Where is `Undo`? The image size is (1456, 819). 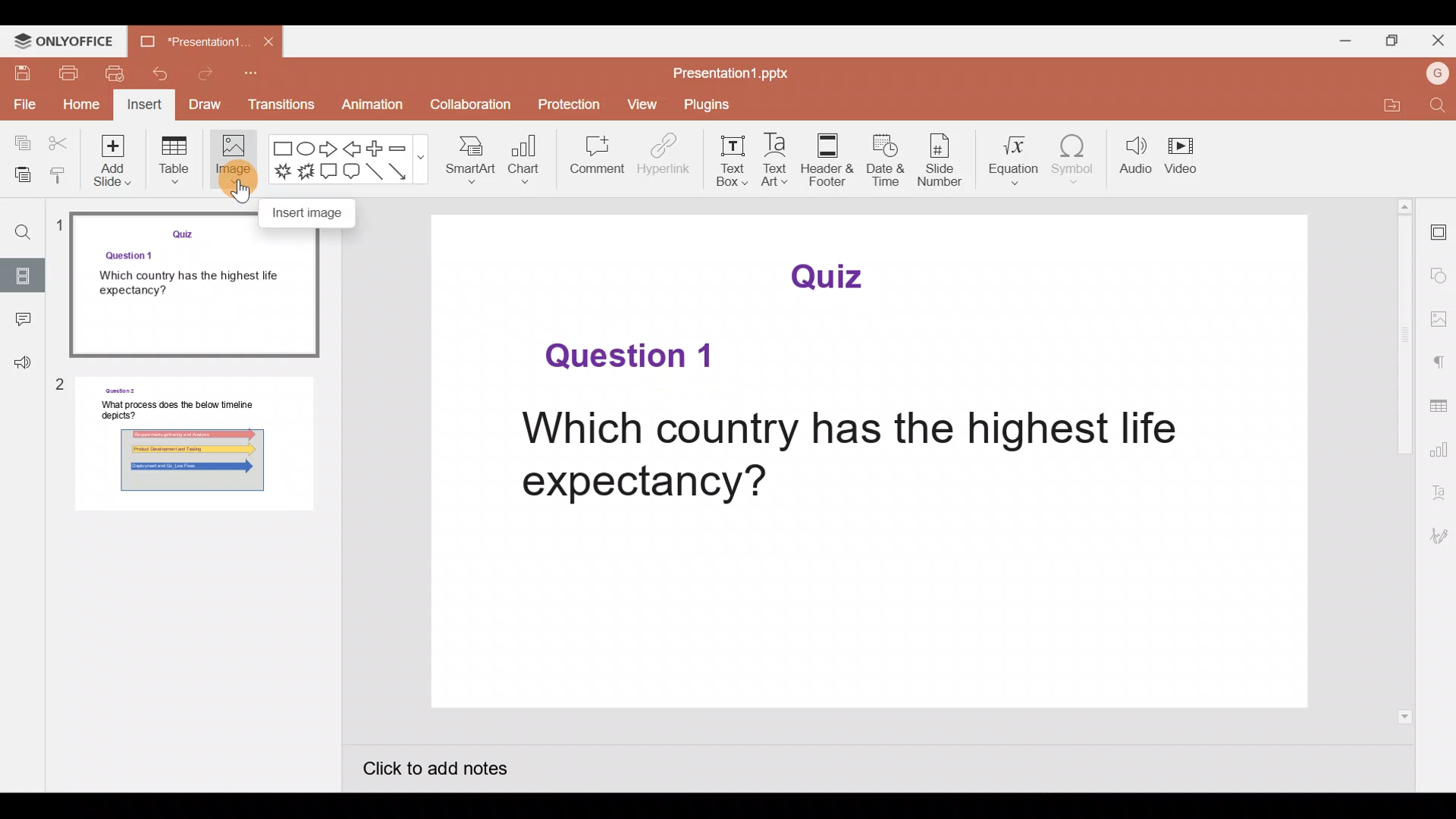
Undo is located at coordinates (167, 74).